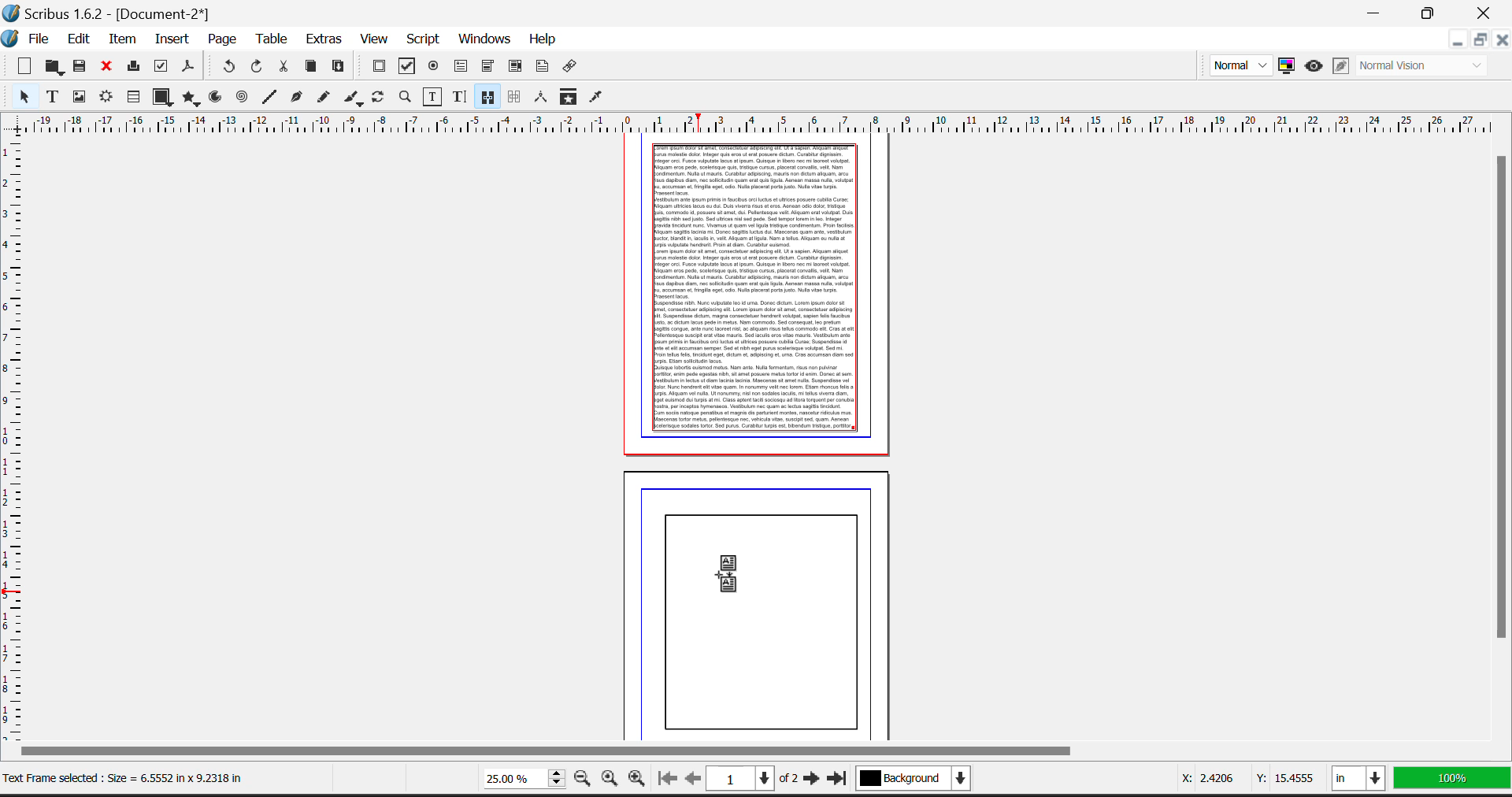  What do you see at coordinates (434, 67) in the screenshot?
I see `PDF Radio Button` at bounding box center [434, 67].